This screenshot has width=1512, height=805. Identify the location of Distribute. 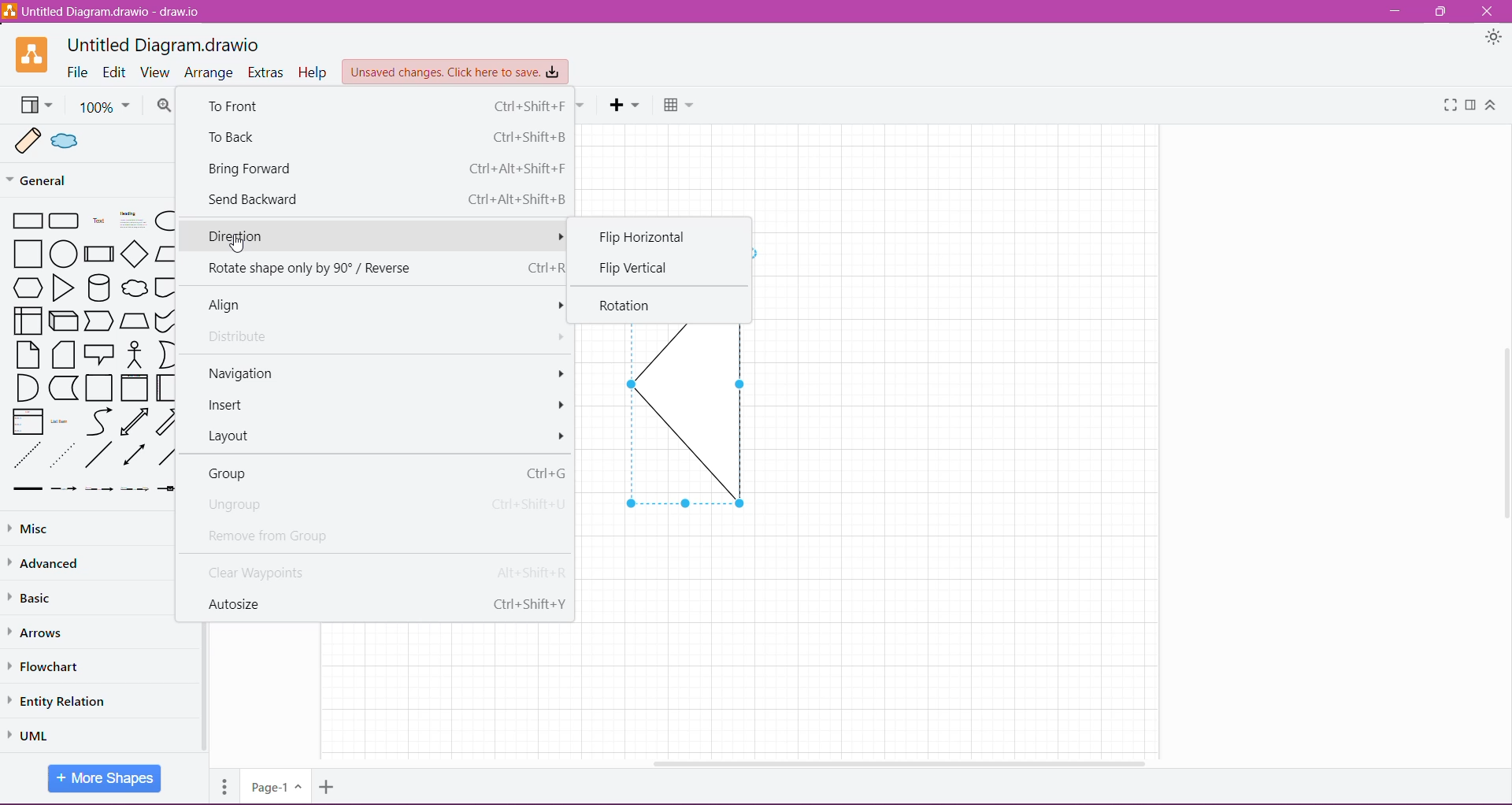
(378, 336).